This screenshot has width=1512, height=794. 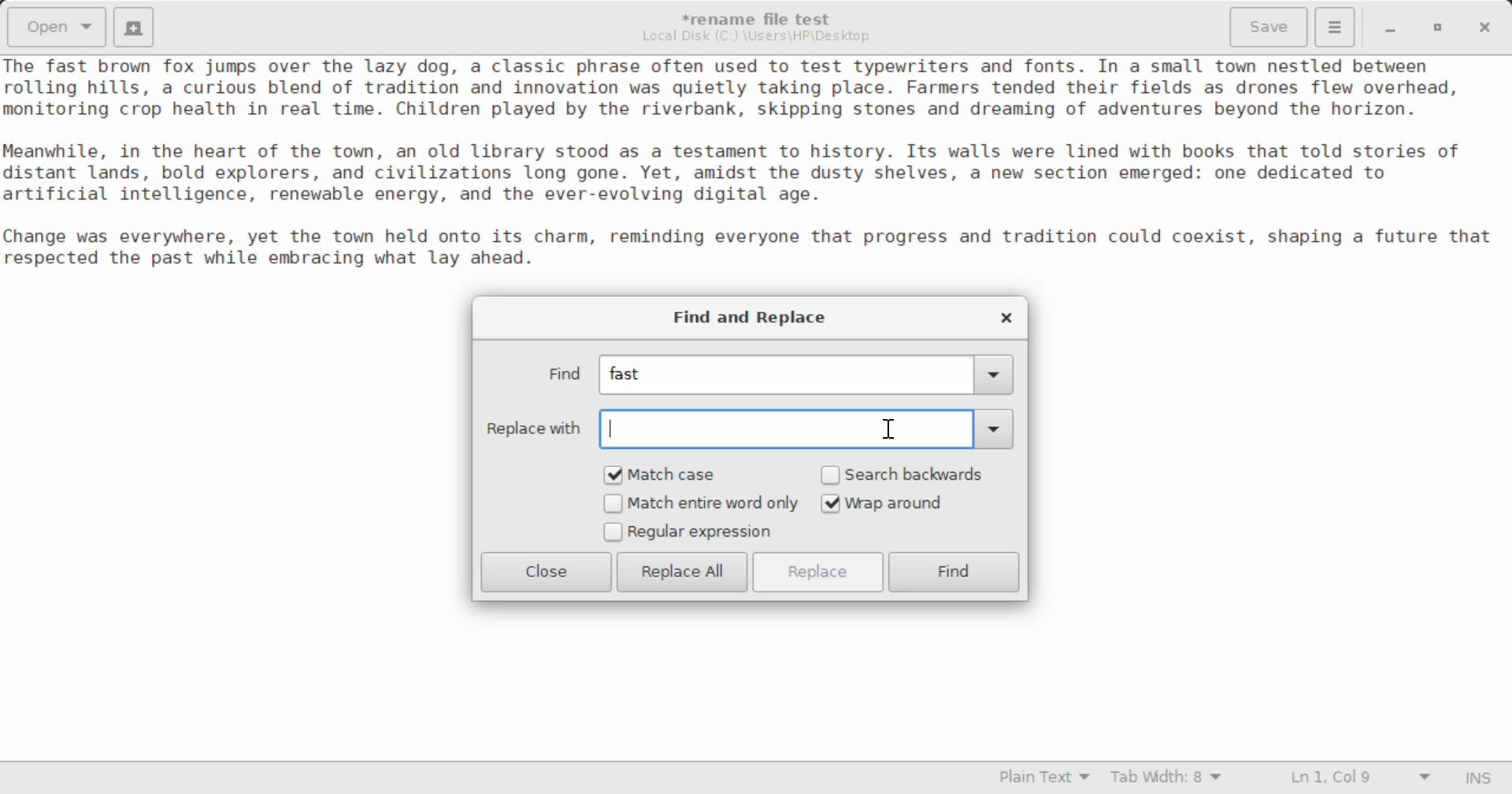 I want to click on Find, so click(x=955, y=572).